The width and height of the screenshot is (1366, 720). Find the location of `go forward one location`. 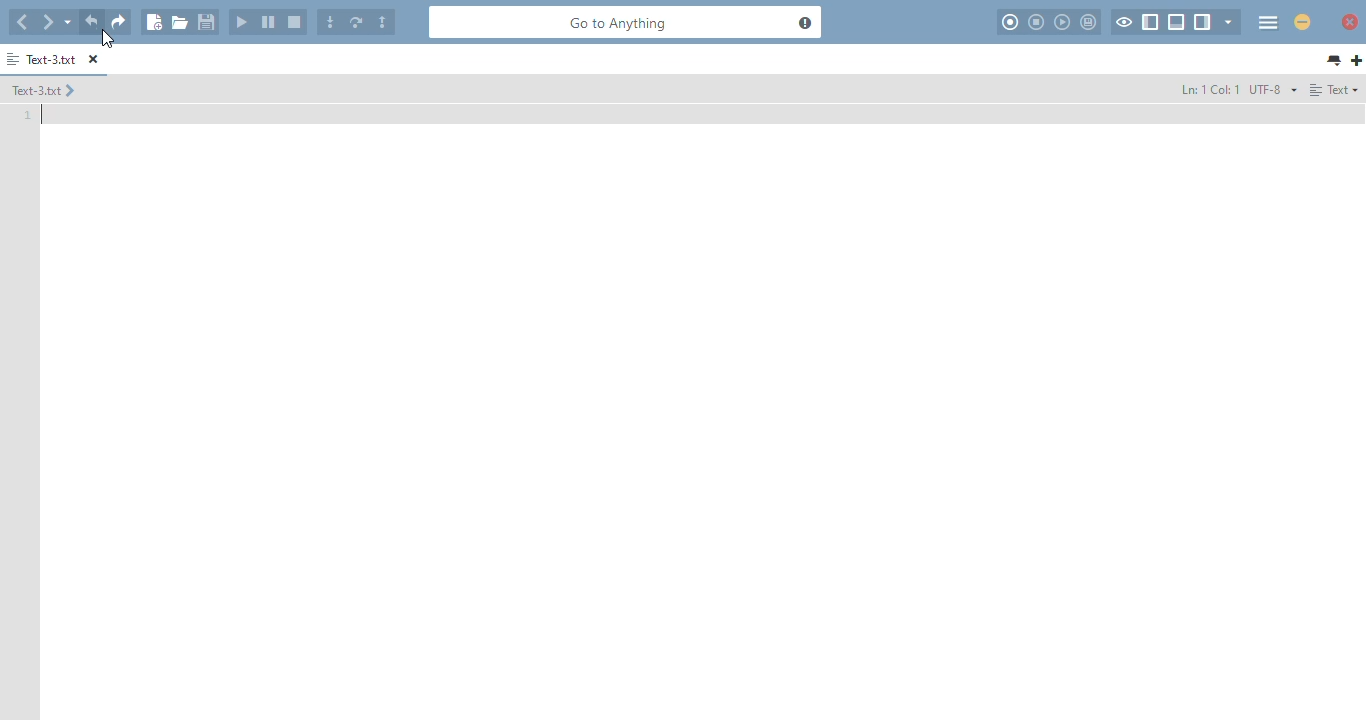

go forward one location is located at coordinates (48, 21).